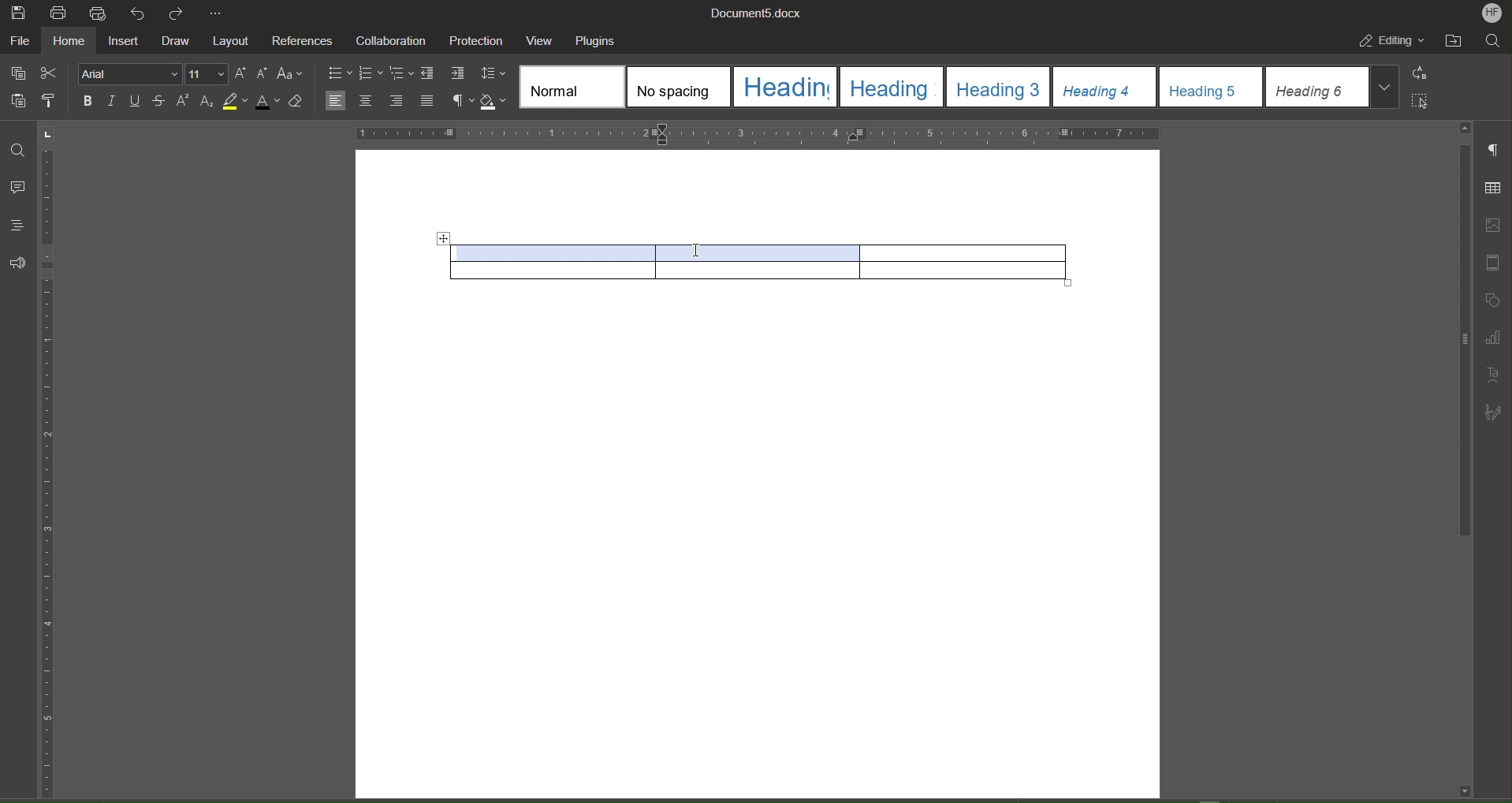 Image resolution: width=1512 pixels, height=803 pixels. I want to click on View, so click(543, 40).